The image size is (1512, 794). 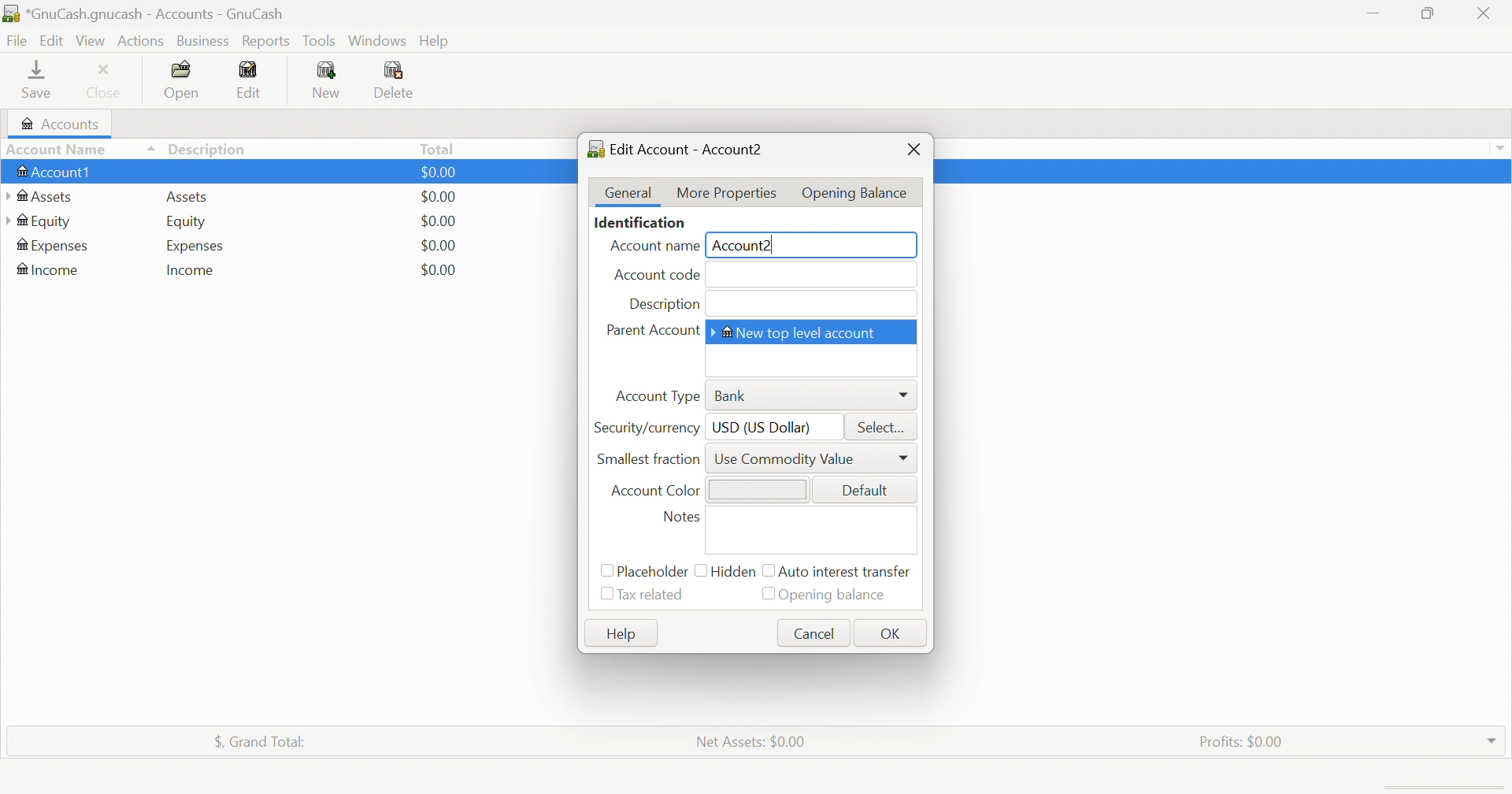 I want to click on Equity, so click(x=46, y=222).